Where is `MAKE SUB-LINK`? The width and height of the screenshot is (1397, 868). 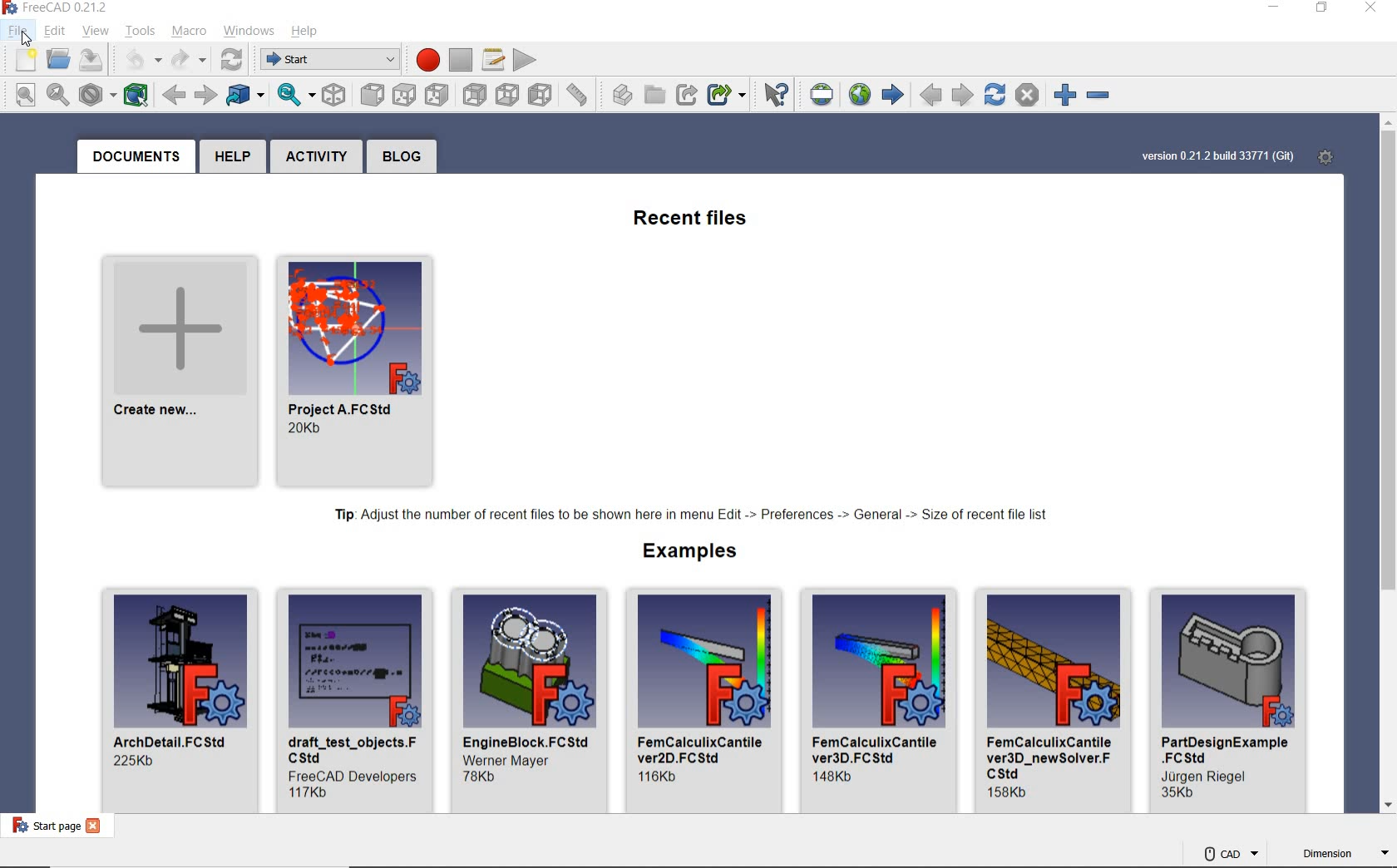 MAKE SUB-LINK is located at coordinates (726, 96).